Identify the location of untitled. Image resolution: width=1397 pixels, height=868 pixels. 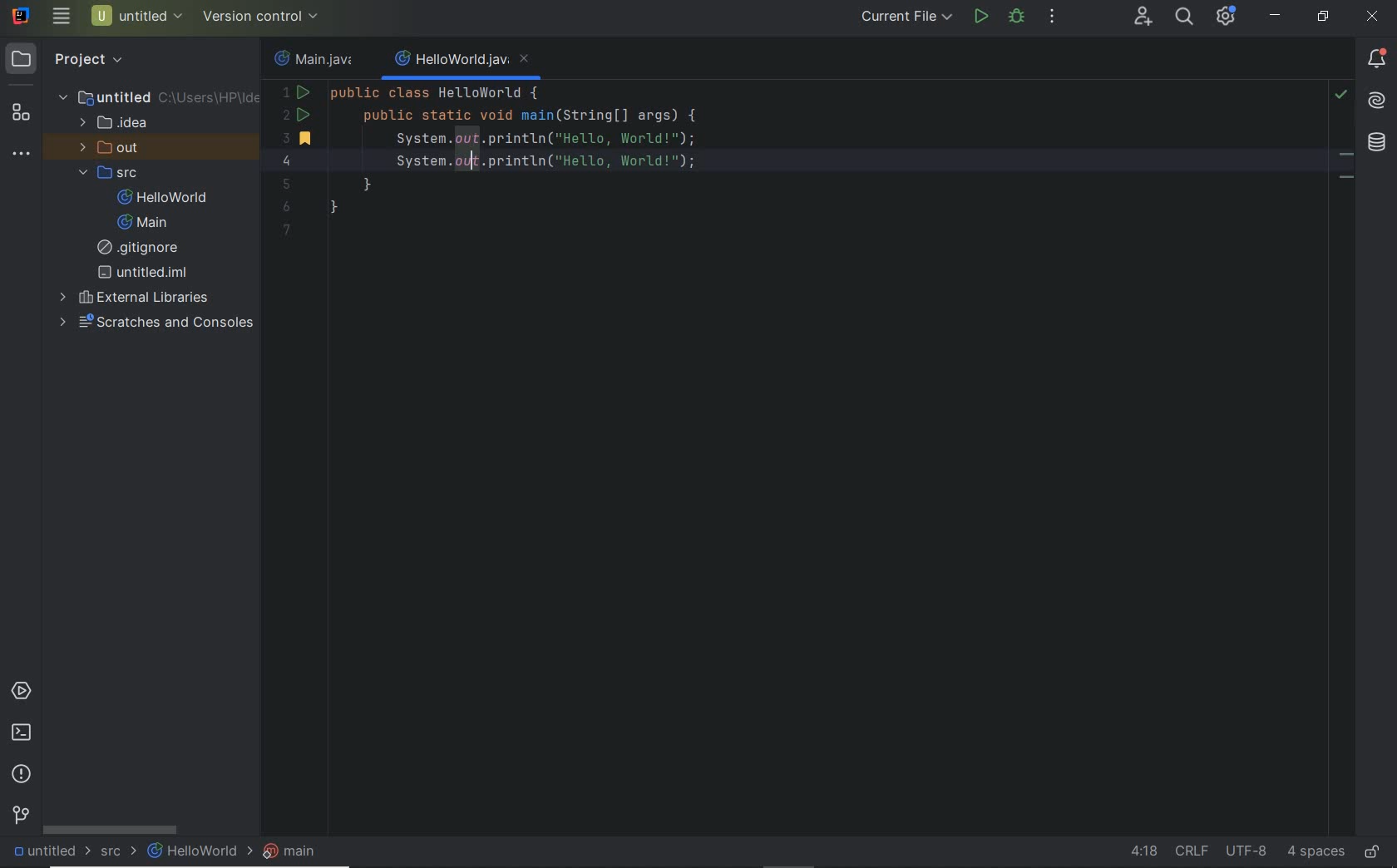
(47, 850).